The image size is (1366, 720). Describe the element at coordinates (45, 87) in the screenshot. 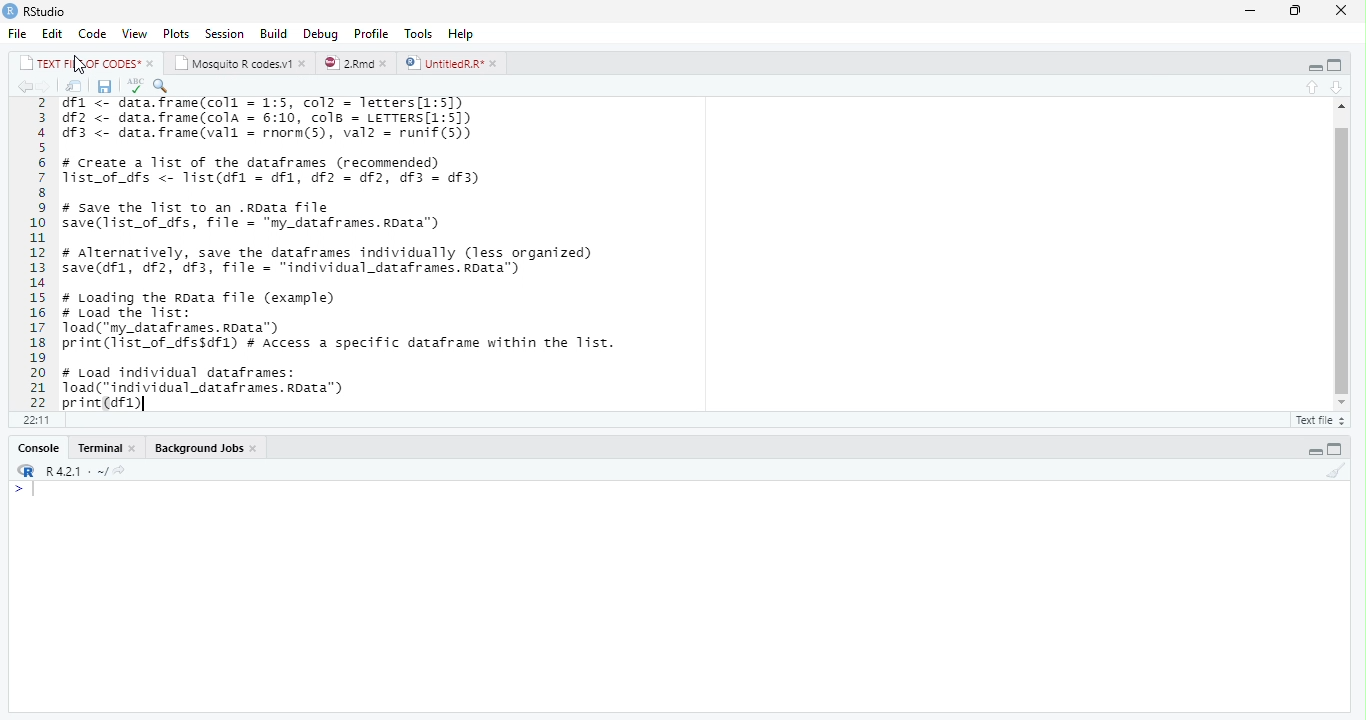

I see `Go to next location` at that location.